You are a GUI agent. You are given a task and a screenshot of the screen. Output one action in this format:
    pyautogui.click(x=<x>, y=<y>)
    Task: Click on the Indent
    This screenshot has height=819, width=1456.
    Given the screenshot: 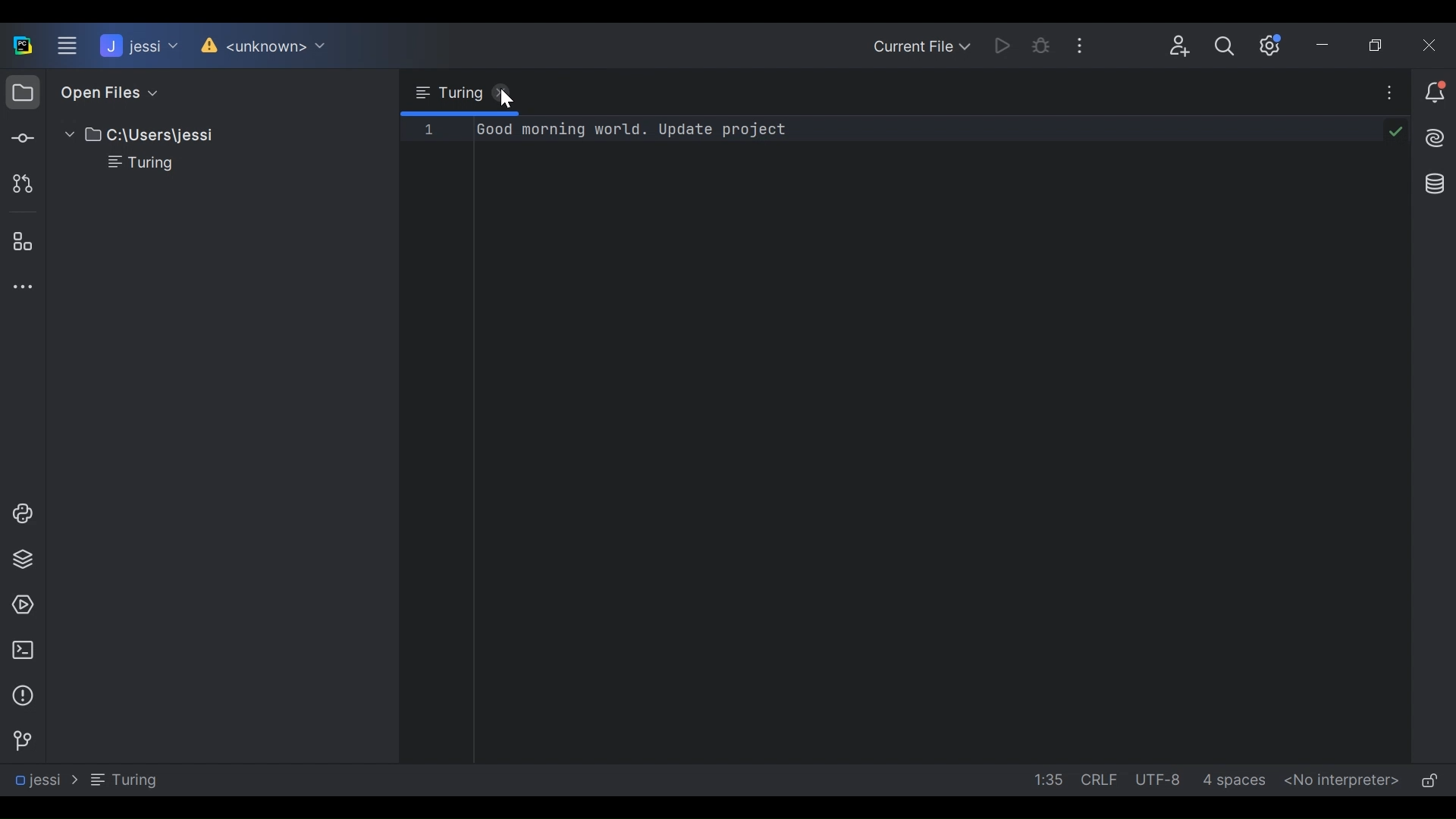 What is the action you would take?
    pyautogui.click(x=1233, y=780)
    